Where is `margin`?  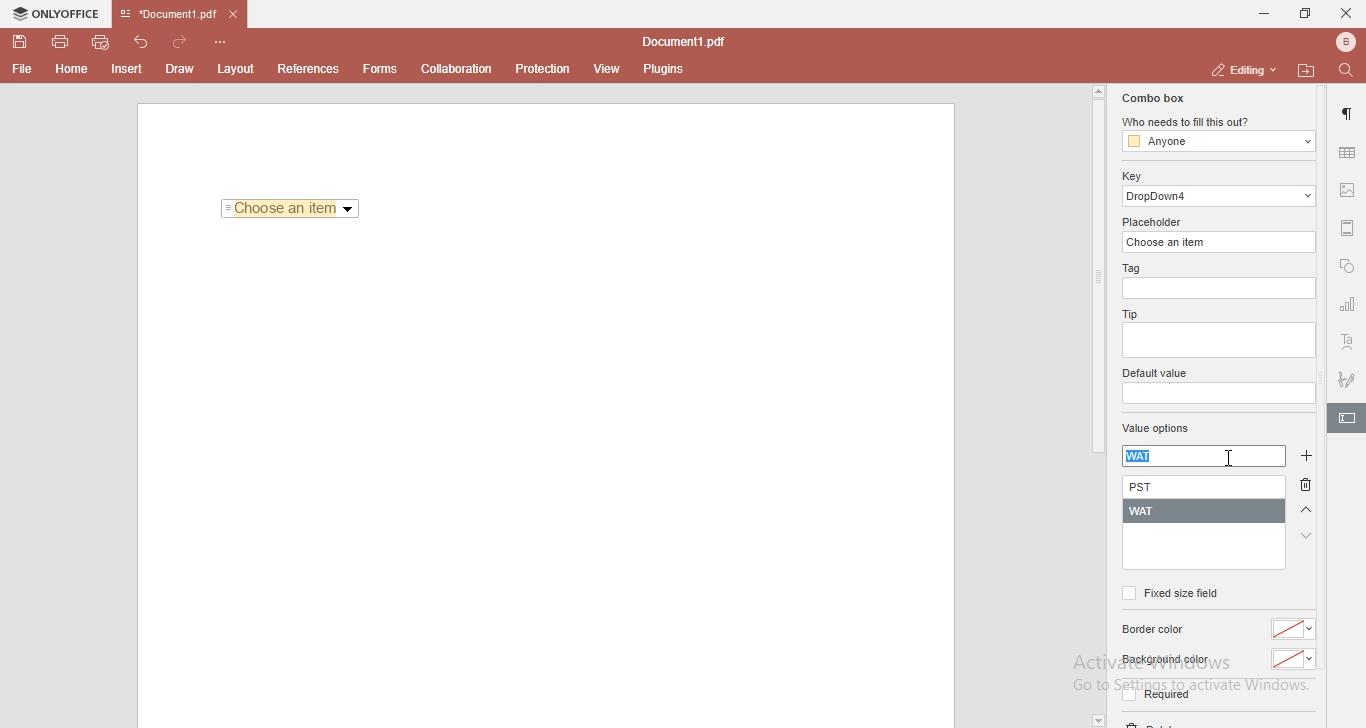 margin is located at coordinates (1348, 226).